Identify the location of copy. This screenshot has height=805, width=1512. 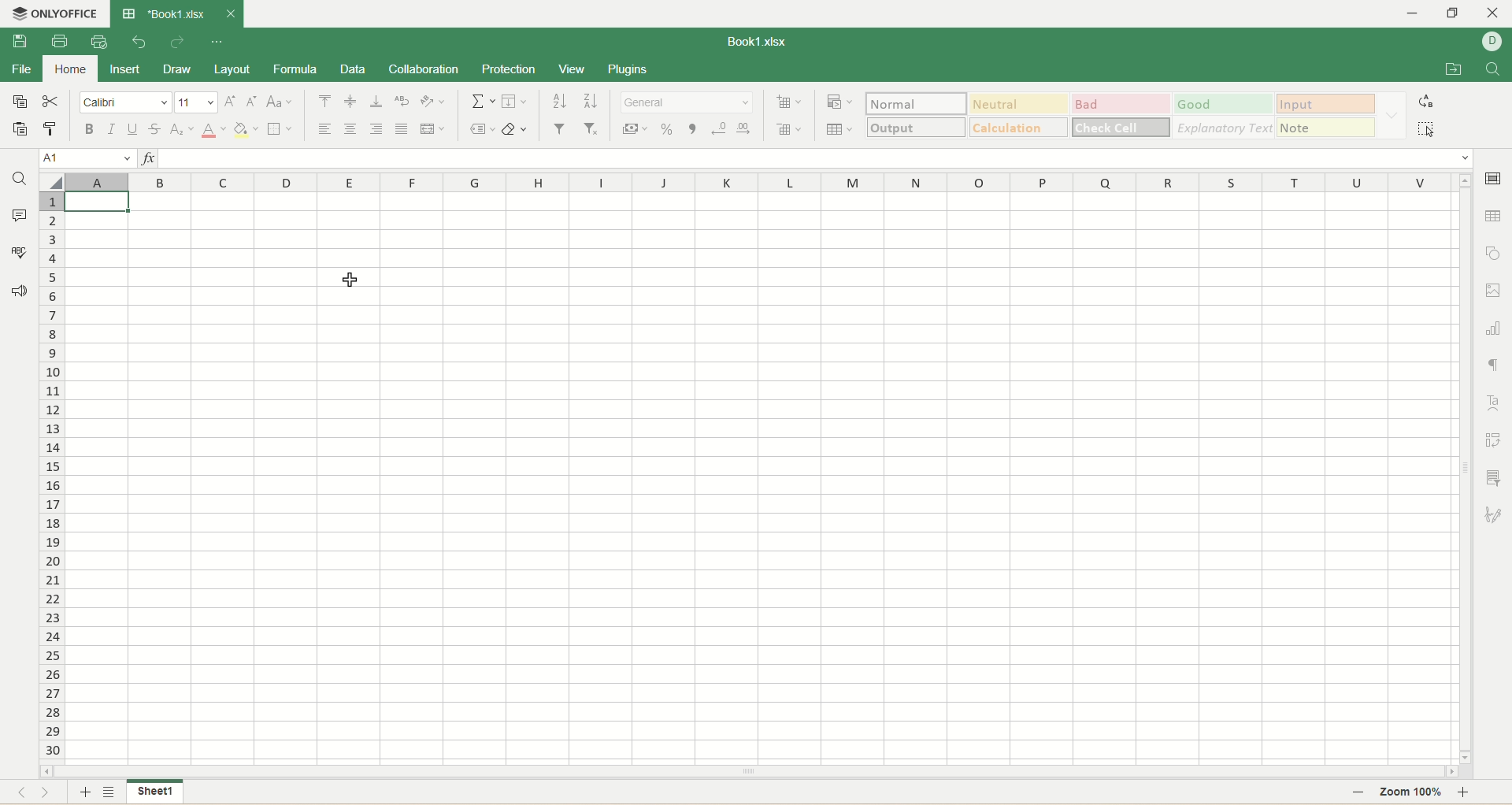
(22, 101).